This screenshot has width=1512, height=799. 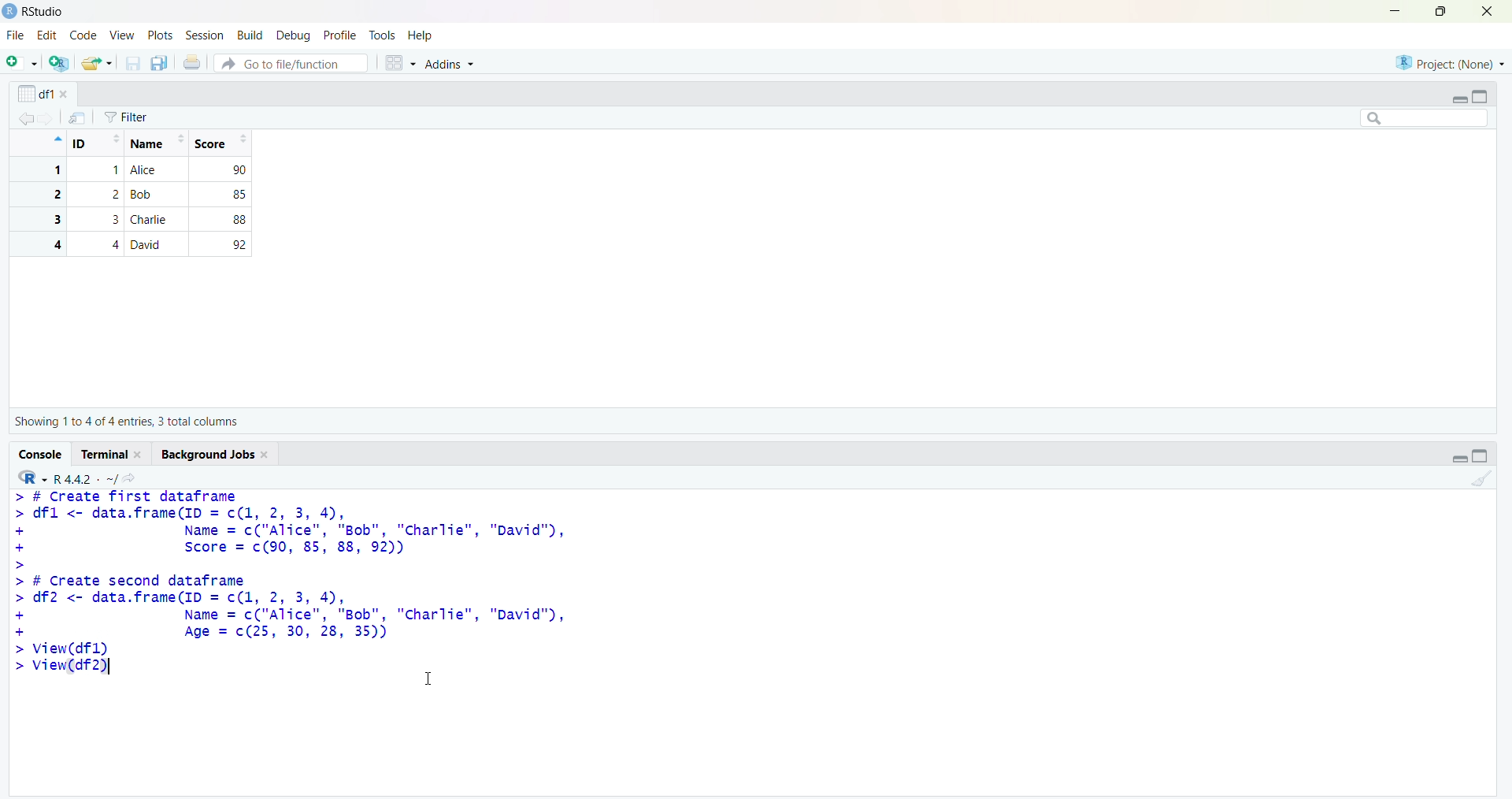 What do you see at coordinates (1450, 62) in the screenshot?
I see `project (none)` at bounding box center [1450, 62].